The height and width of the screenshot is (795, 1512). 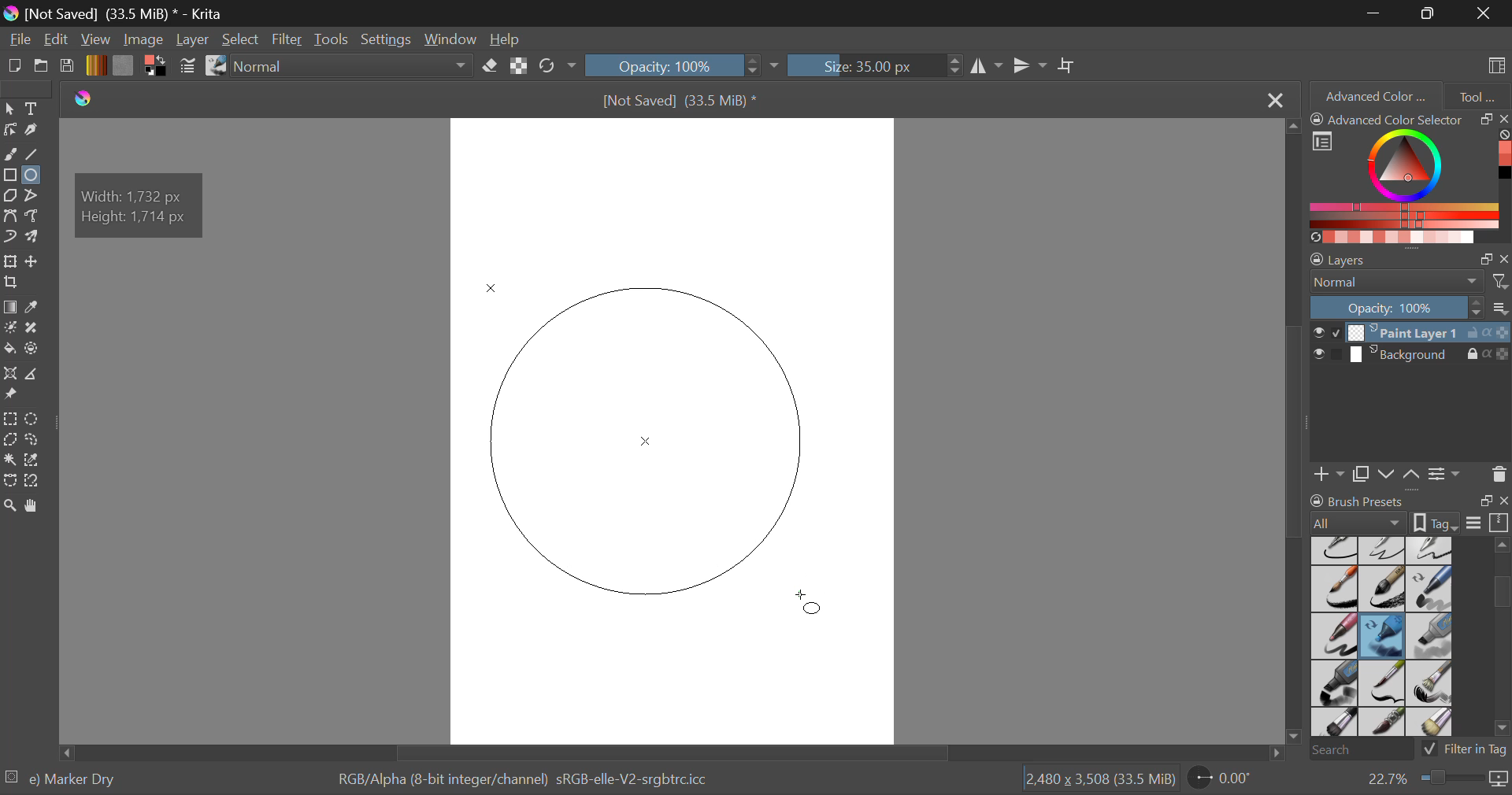 What do you see at coordinates (15, 68) in the screenshot?
I see `New` at bounding box center [15, 68].